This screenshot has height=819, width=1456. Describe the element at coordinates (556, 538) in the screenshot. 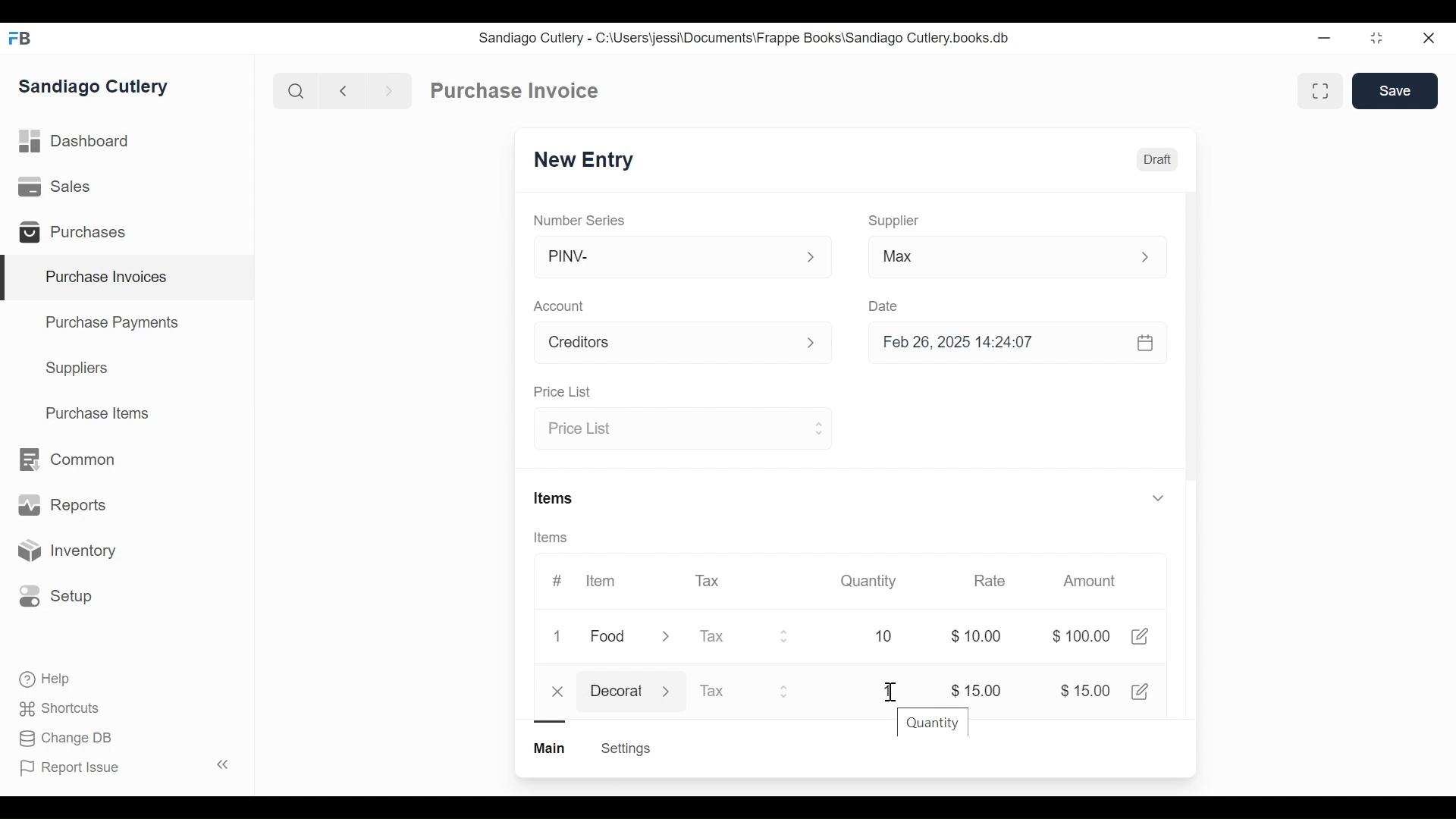

I see `Items` at that location.